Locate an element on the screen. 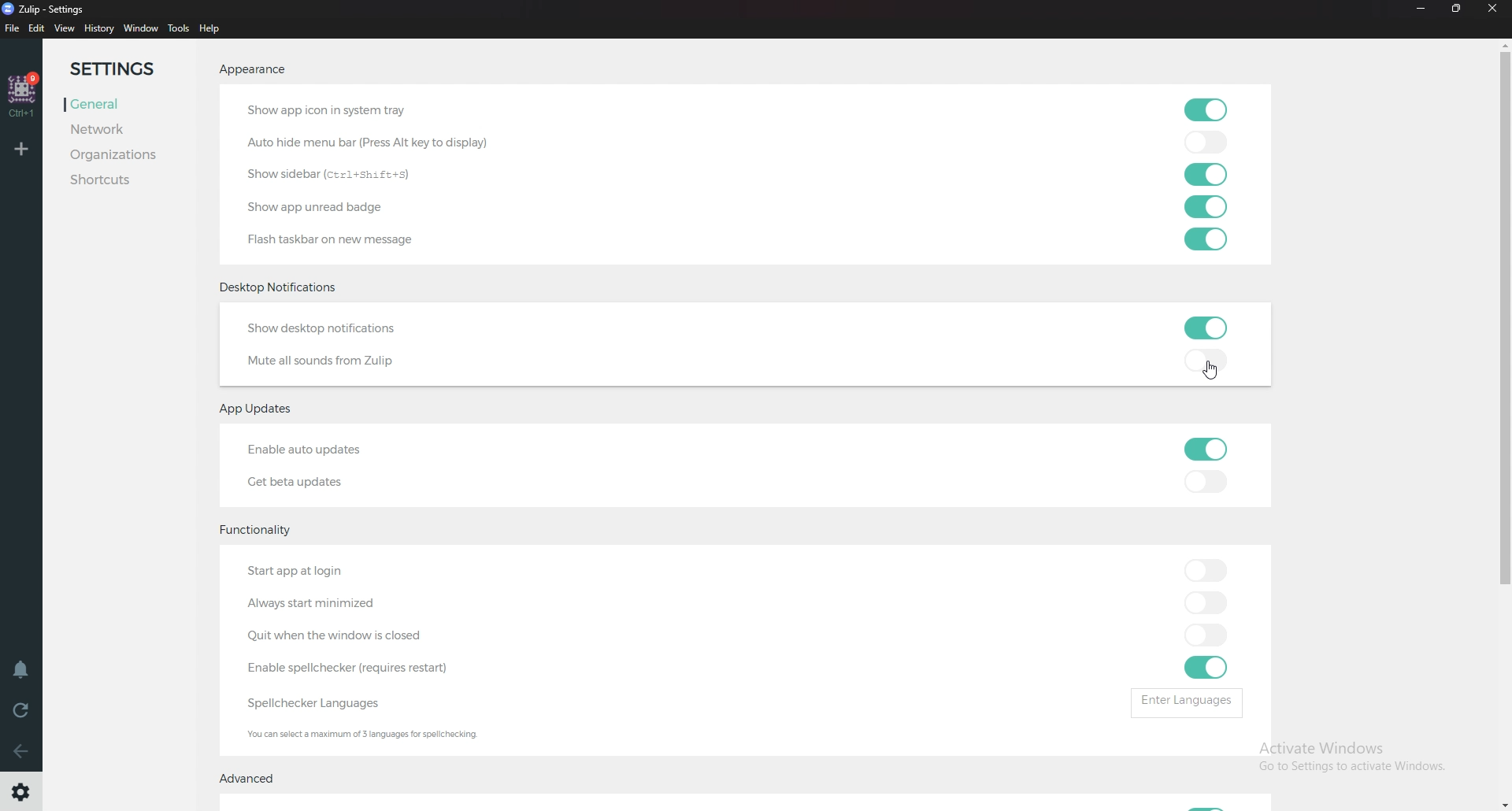  Functionality is located at coordinates (266, 532).